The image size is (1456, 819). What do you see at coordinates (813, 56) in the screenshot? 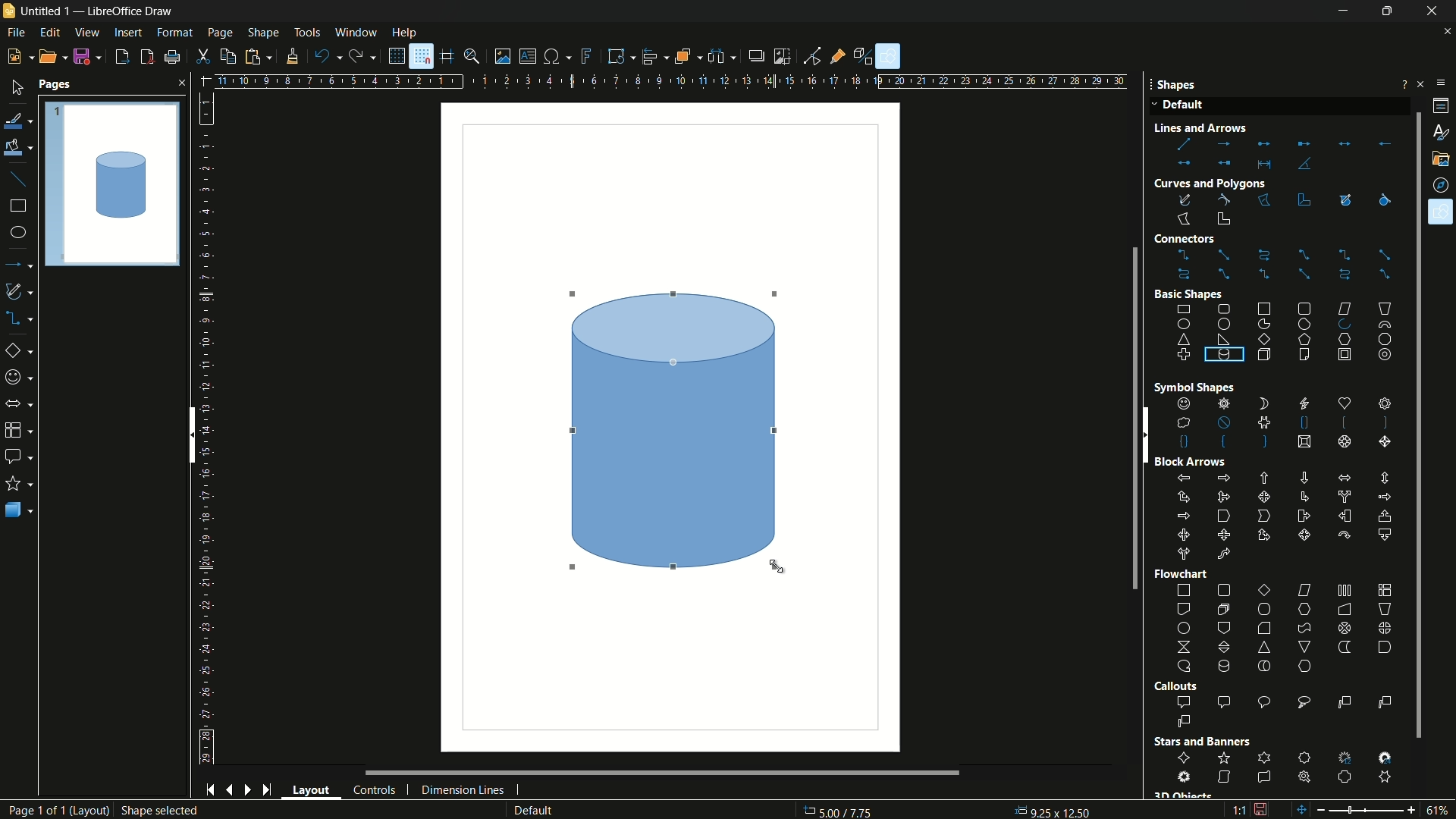
I see `toggle point edit mode` at bounding box center [813, 56].